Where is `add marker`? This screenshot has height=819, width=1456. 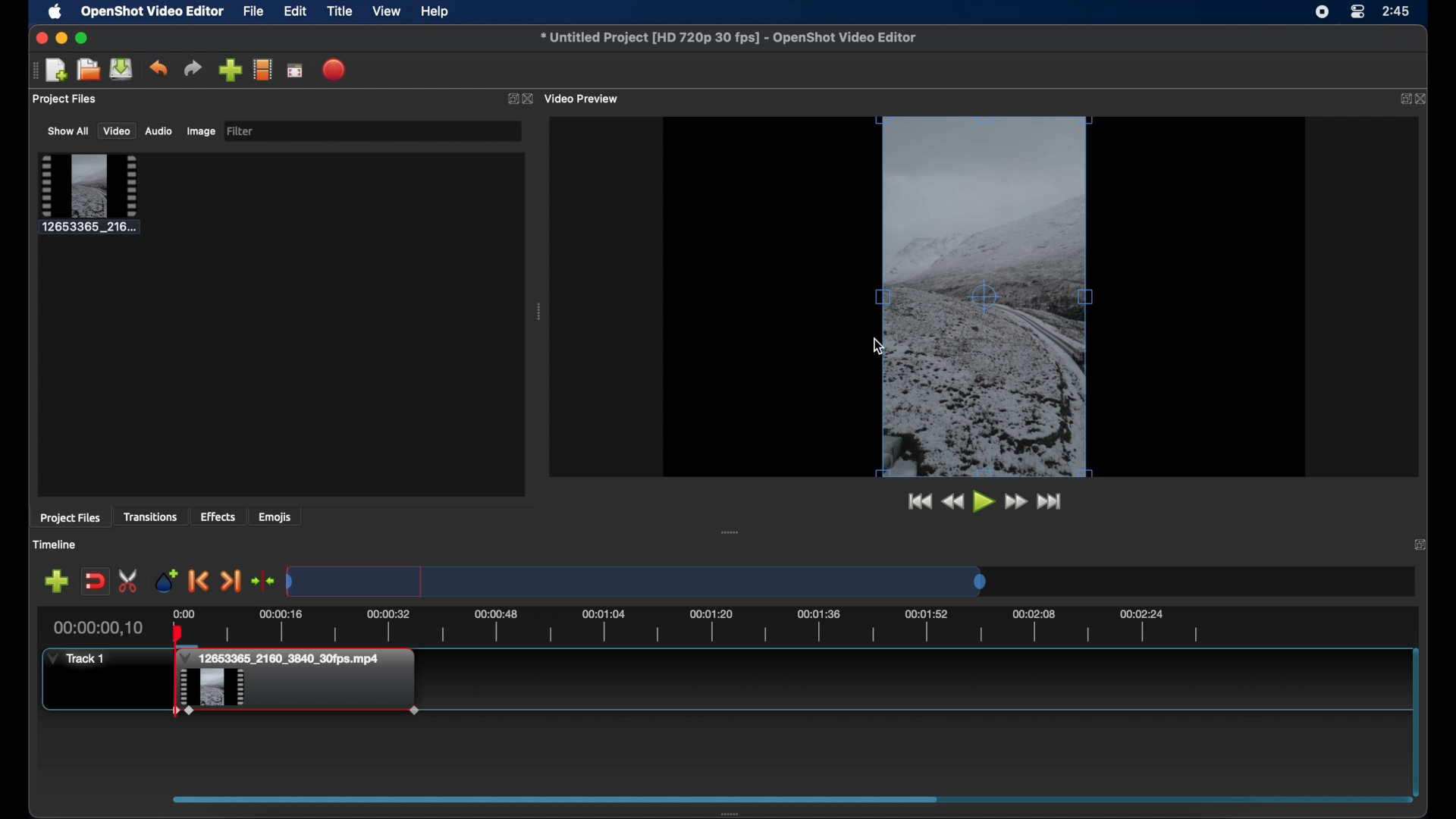
add marker is located at coordinates (166, 579).